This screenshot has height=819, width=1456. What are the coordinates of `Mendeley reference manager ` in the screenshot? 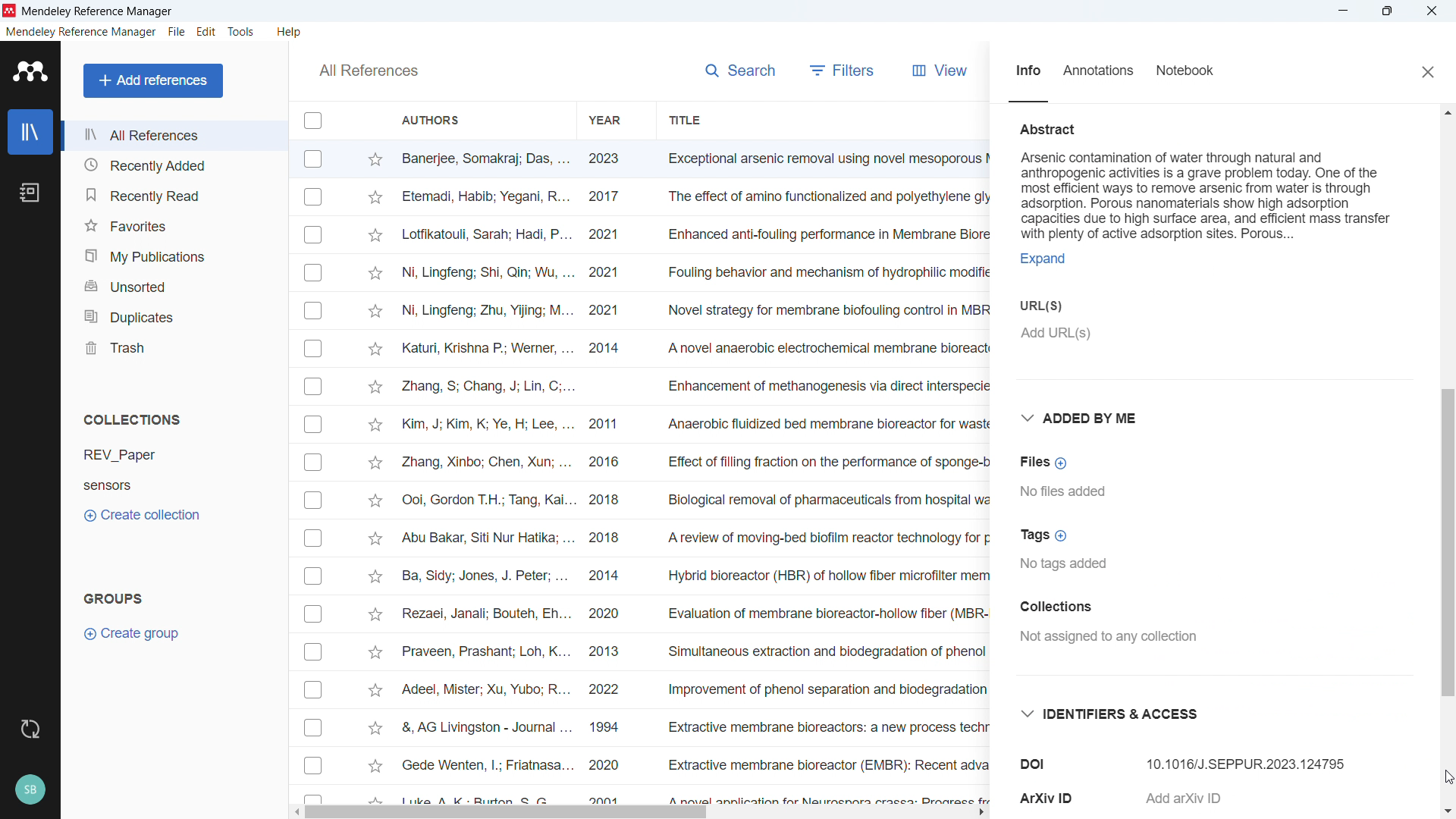 It's located at (81, 33).